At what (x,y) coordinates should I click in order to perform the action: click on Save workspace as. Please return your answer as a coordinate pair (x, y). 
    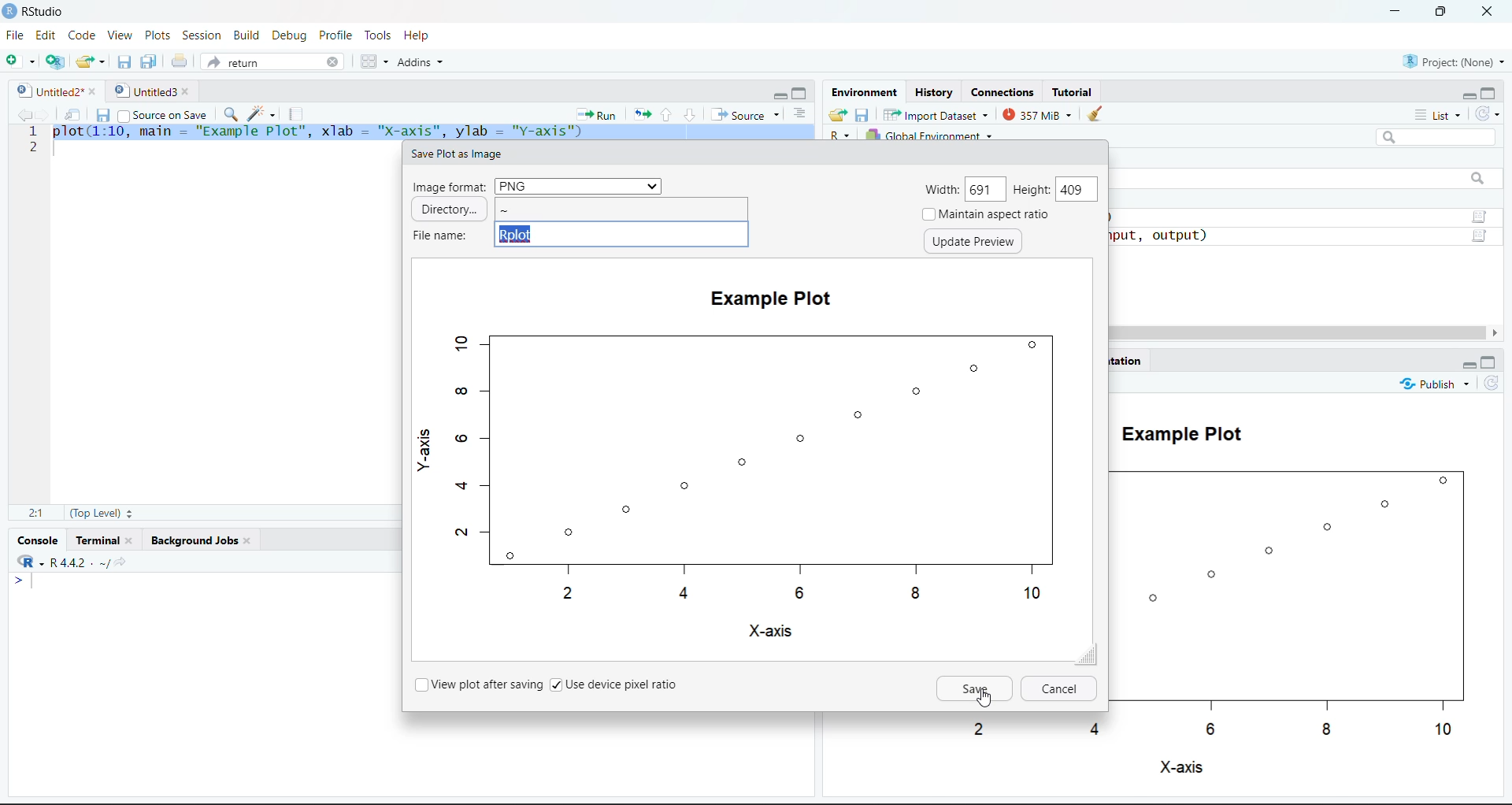
    Looking at the image, I should click on (862, 114).